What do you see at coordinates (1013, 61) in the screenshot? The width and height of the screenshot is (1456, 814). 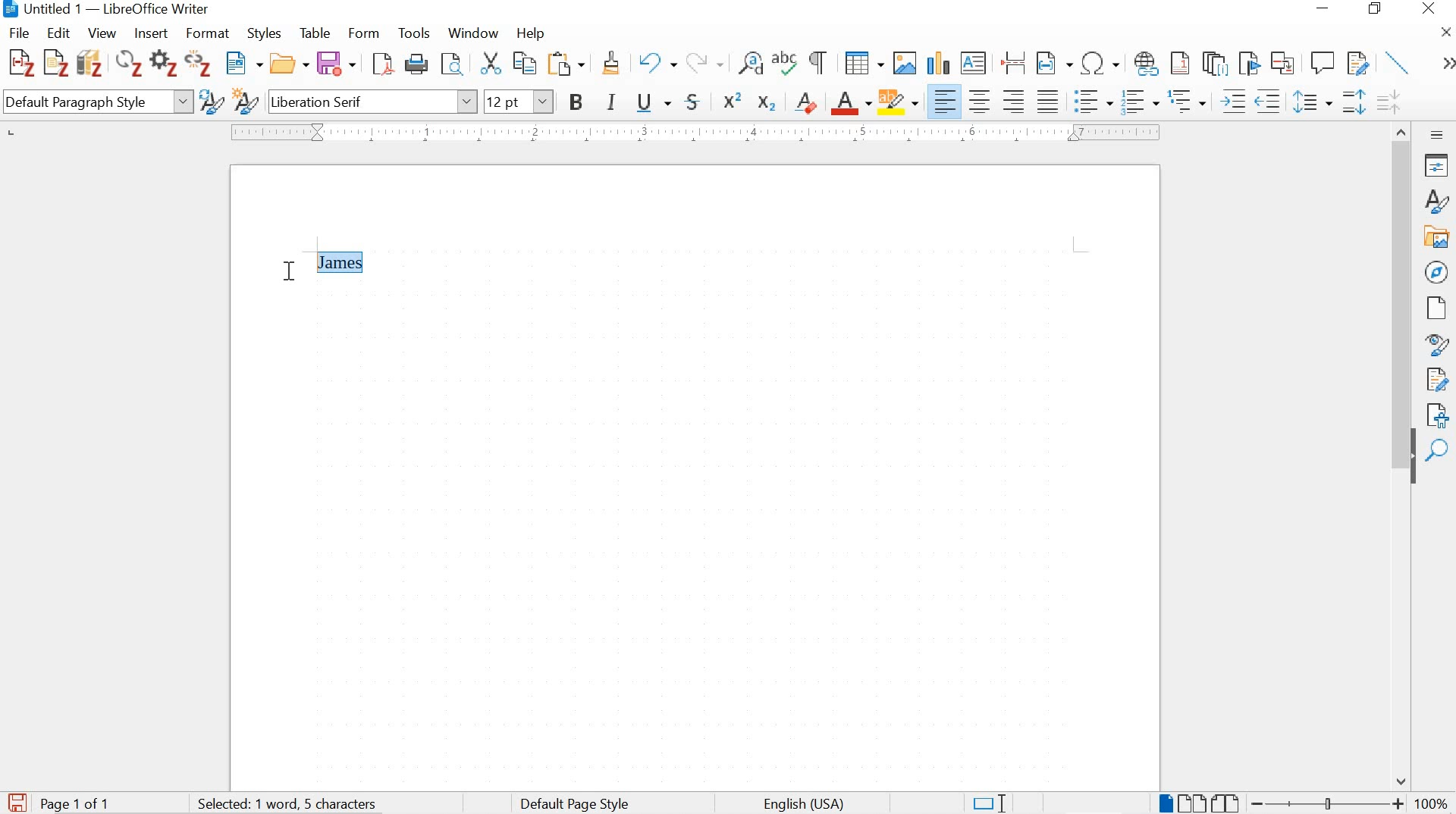 I see `insert page break` at bounding box center [1013, 61].